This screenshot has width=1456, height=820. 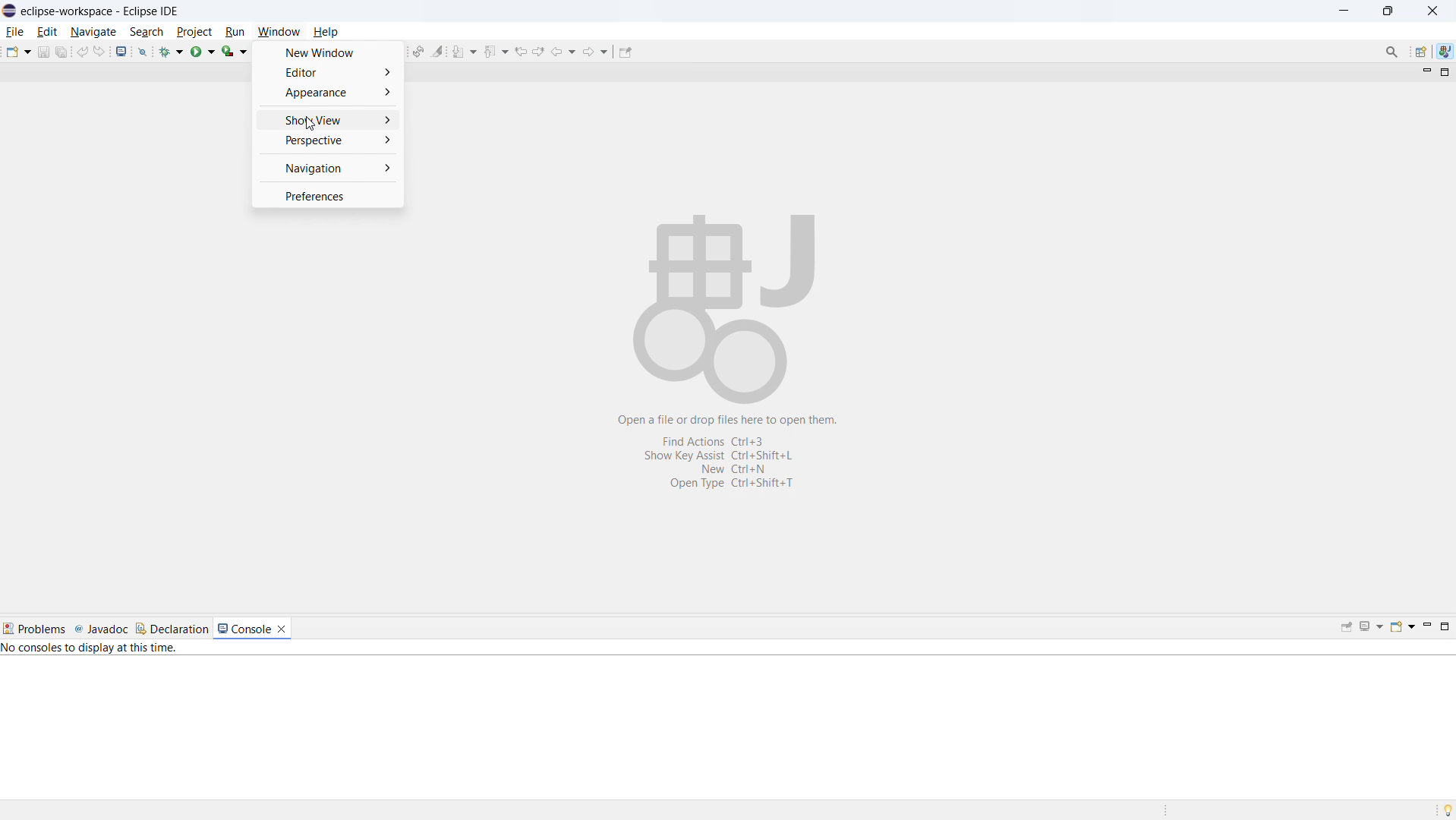 What do you see at coordinates (1445, 52) in the screenshot?
I see `java` at bounding box center [1445, 52].